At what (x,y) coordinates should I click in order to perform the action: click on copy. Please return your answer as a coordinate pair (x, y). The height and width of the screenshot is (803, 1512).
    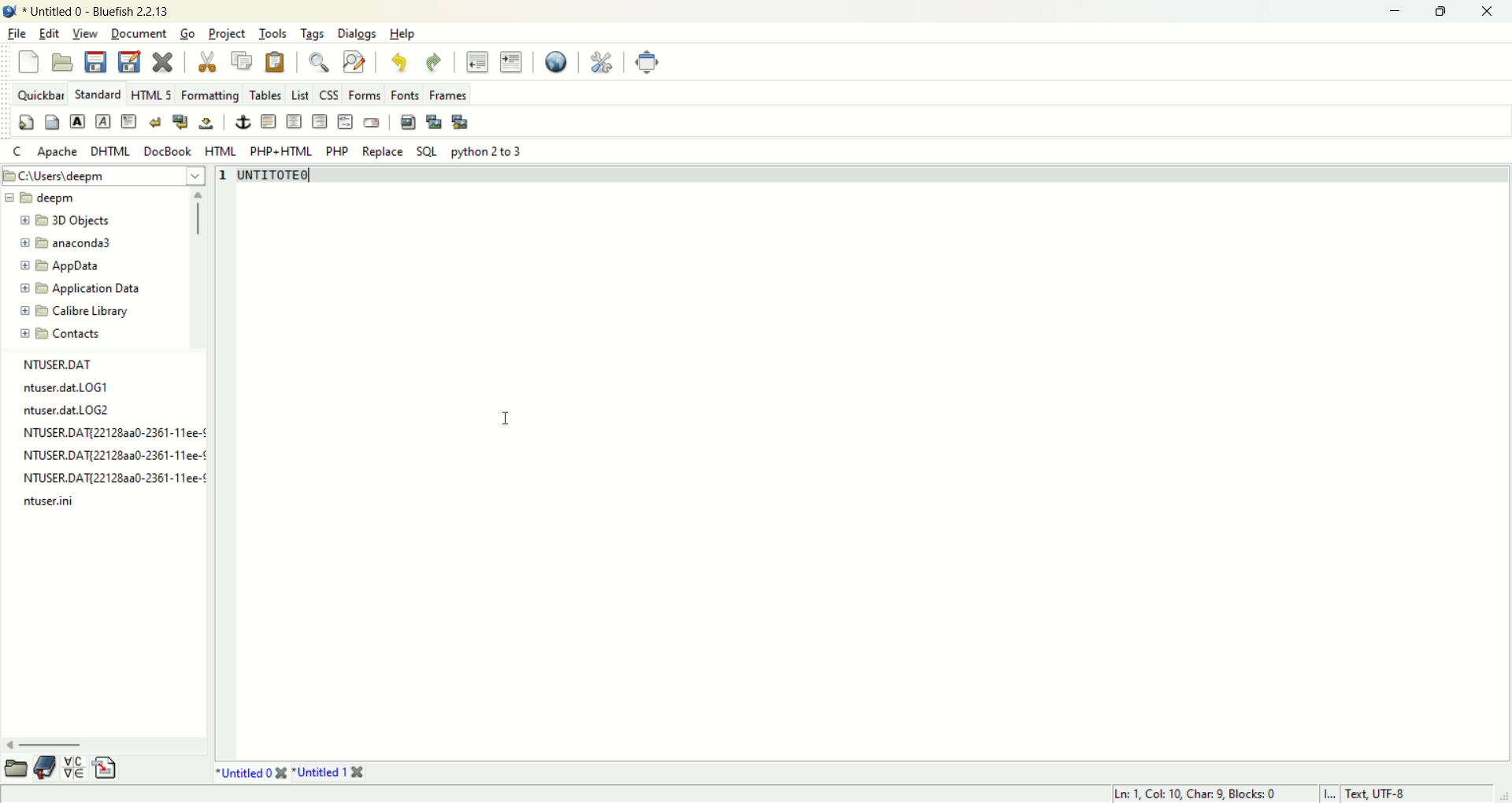
    Looking at the image, I should click on (240, 60).